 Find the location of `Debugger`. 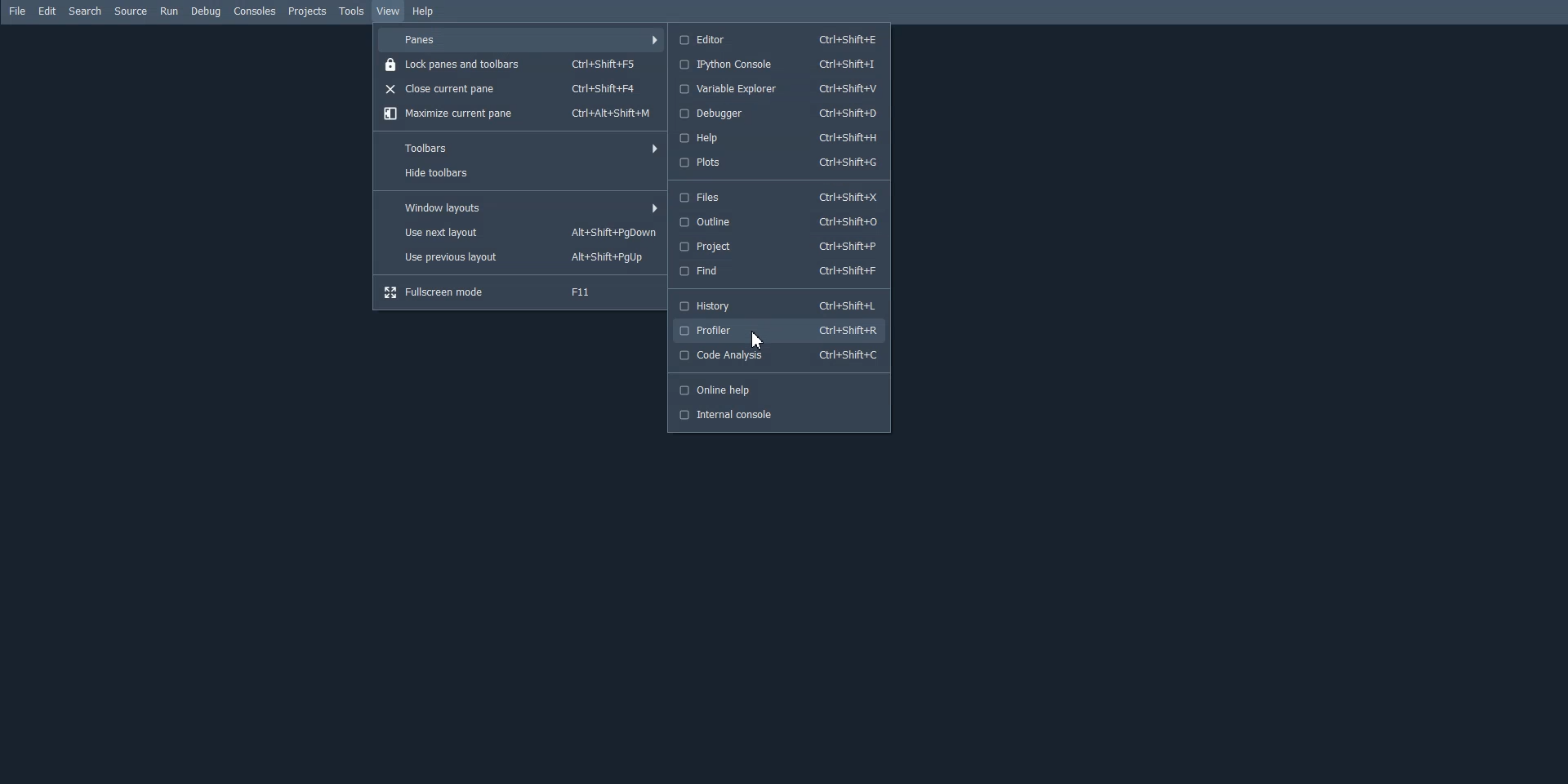

Debugger is located at coordinates (777, 113).